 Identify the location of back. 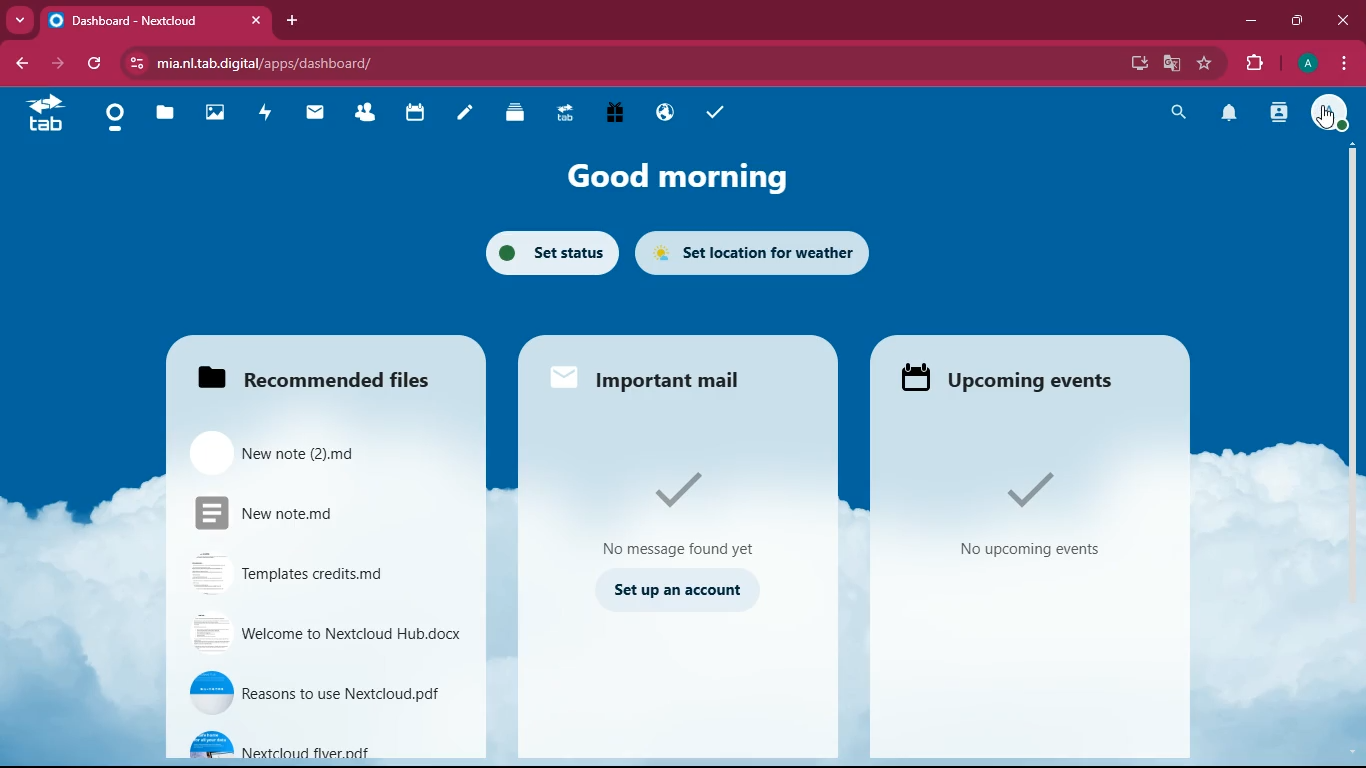
(19, 63).